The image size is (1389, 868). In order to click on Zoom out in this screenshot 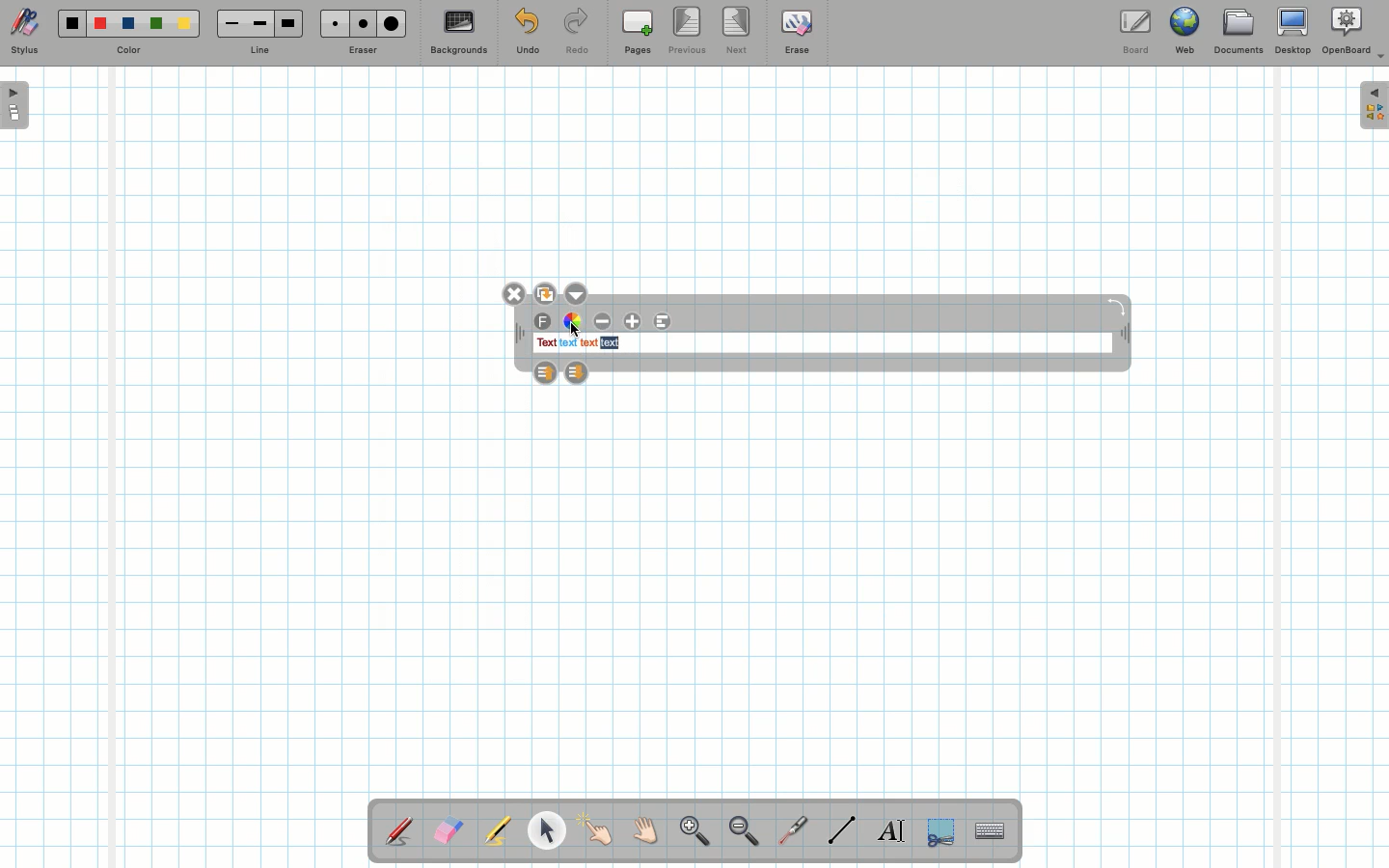, I will do `click(744, 832)`.